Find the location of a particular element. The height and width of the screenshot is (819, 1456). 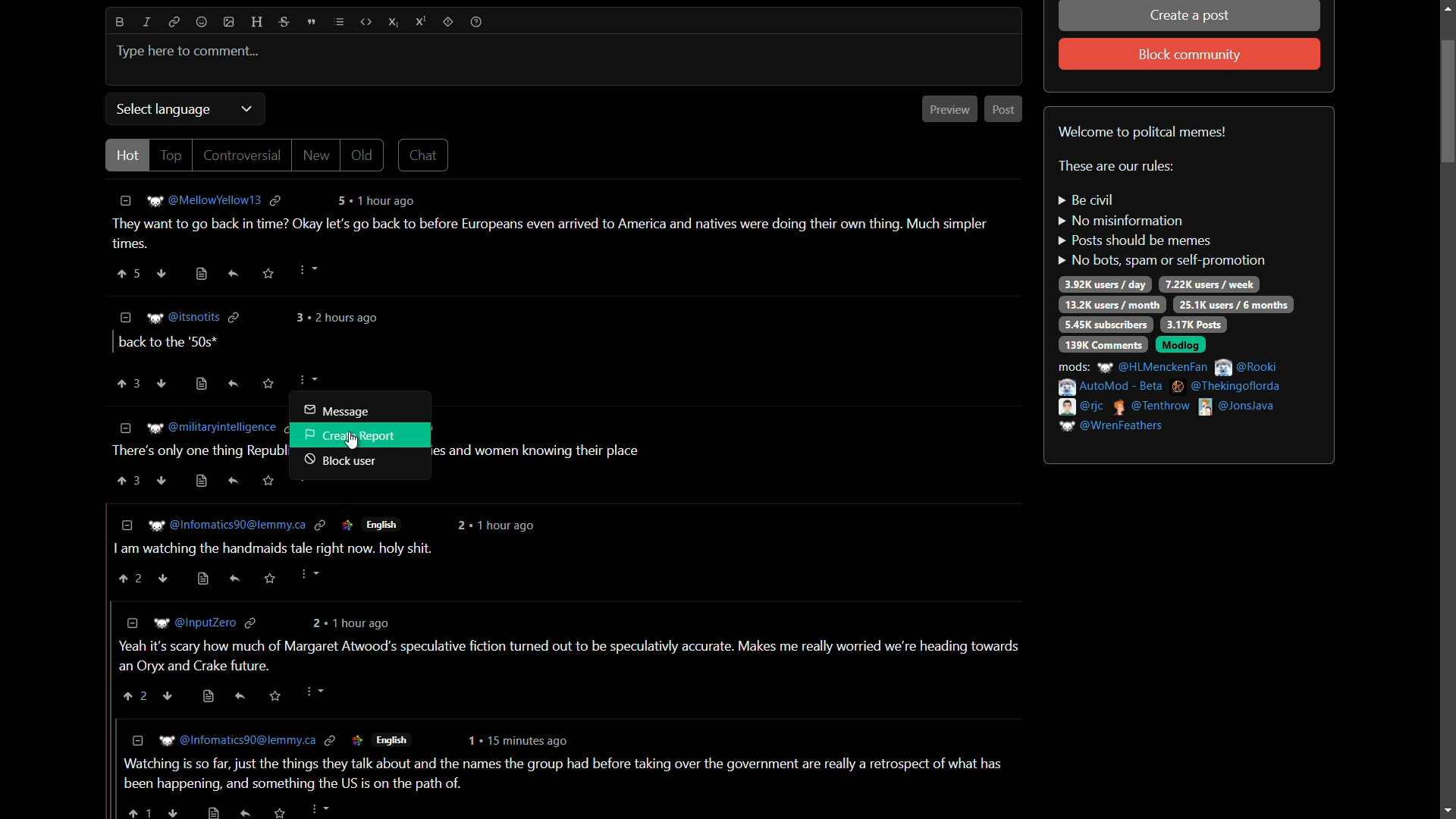

cursor is located at coordinates (355, 441).